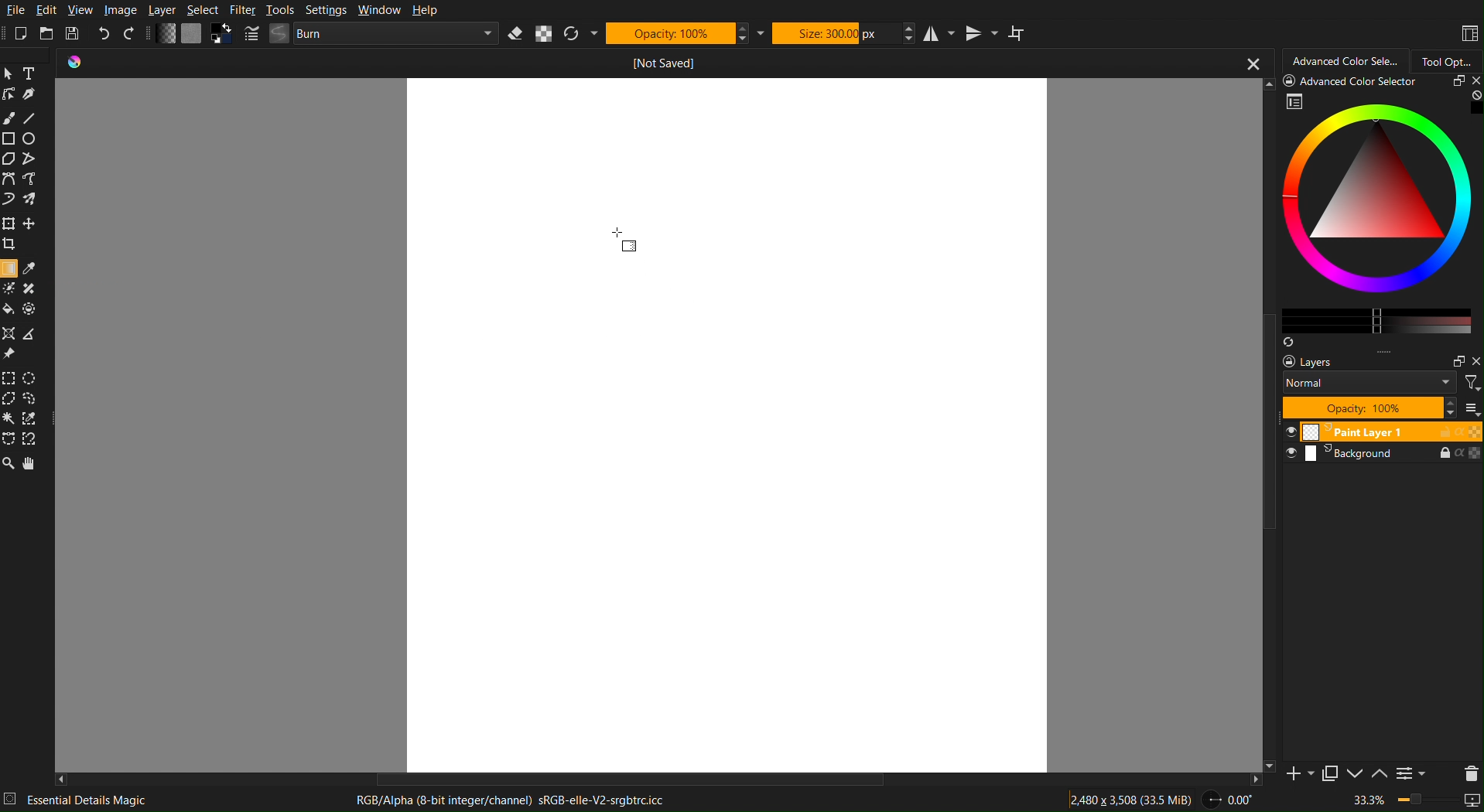 The width and height of the screenshot is (1484, 812). Describe the element at coordinates (87, 800) in the screenshot. I see `Essential Details Magic` at that location.